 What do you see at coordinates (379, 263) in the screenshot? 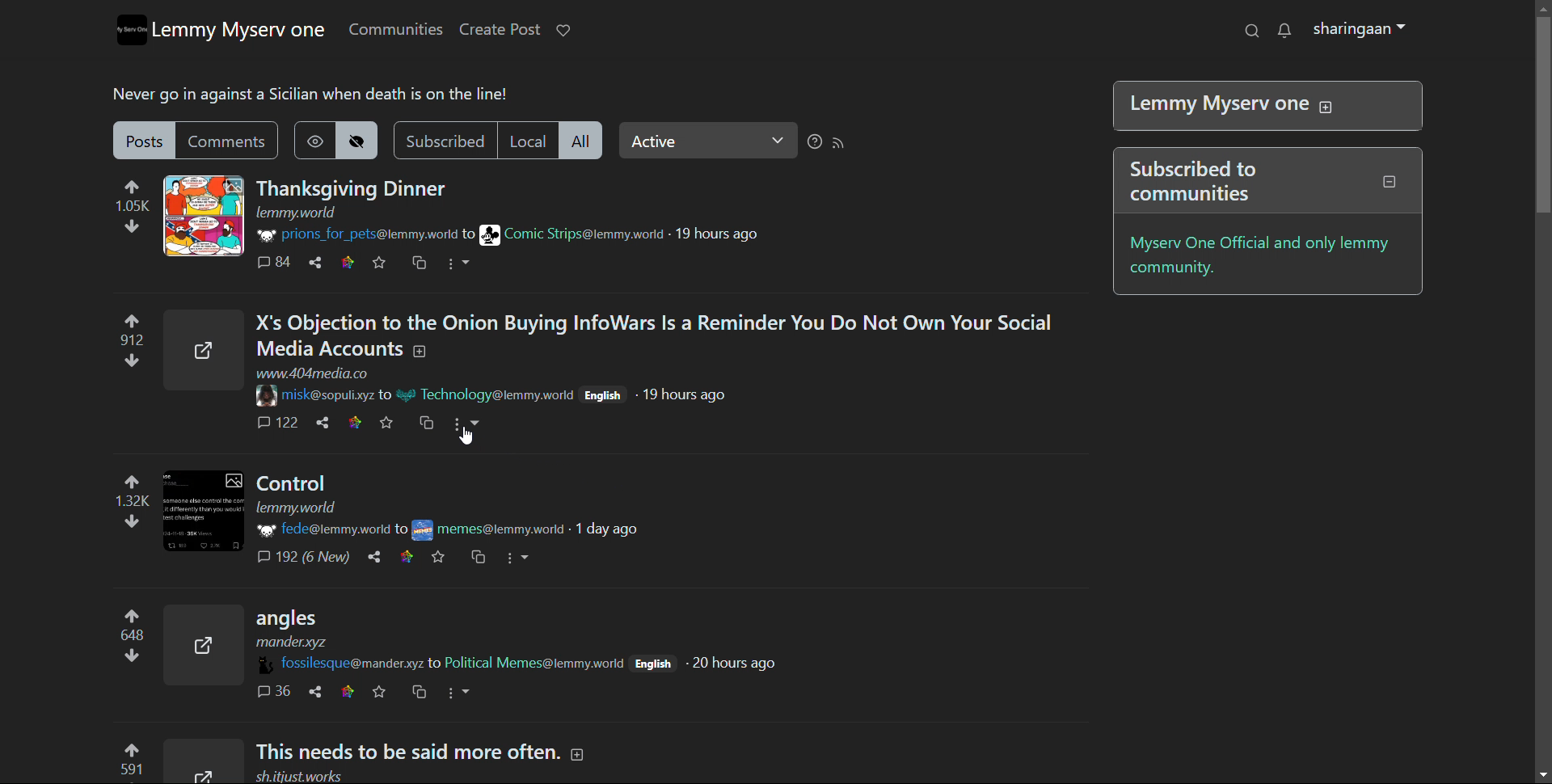
I see `favorite` at bounding box center [379, 263].